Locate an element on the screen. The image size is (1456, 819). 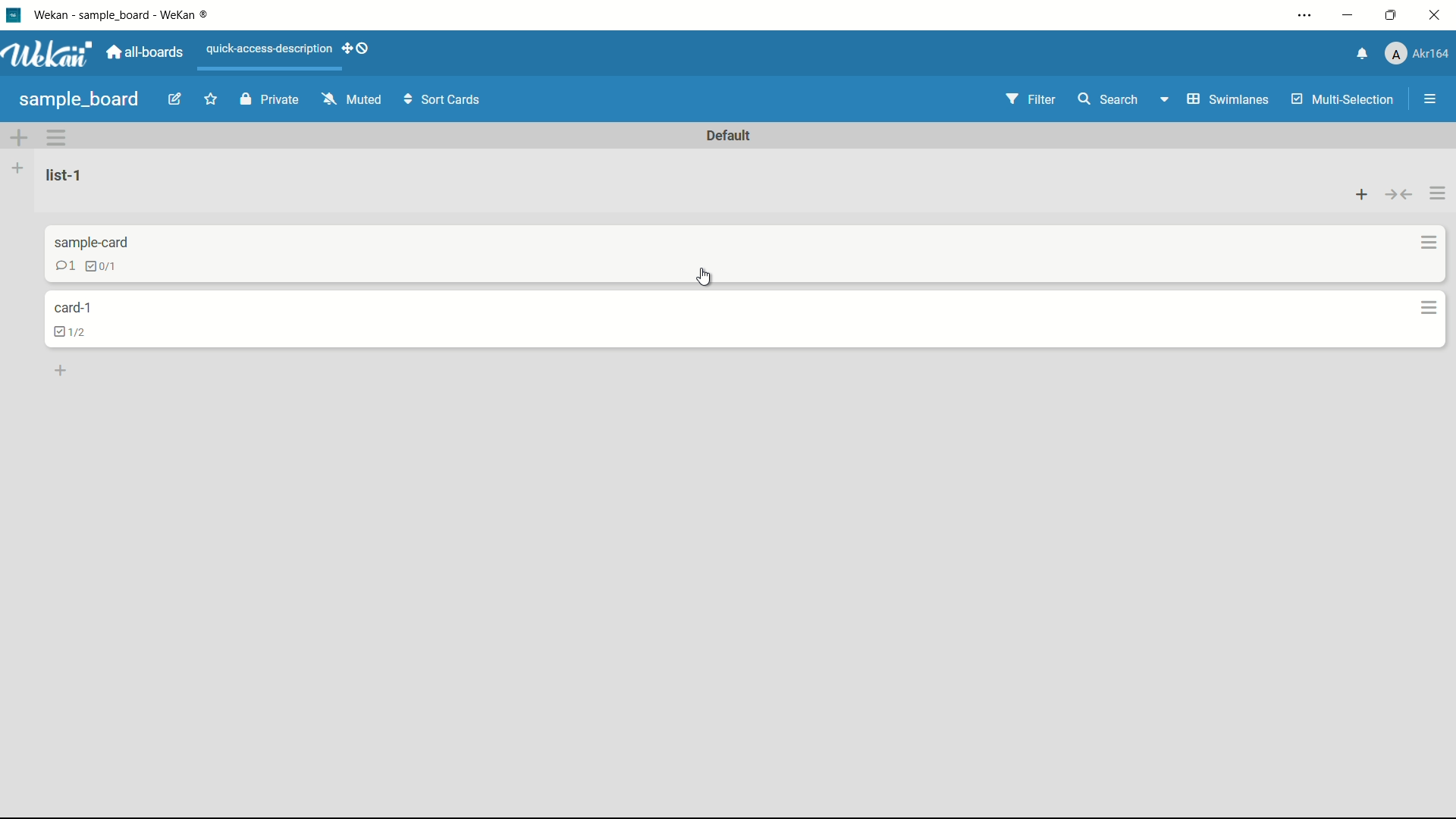
show-desktop-drag-handles is located at coordinates (356, 49).